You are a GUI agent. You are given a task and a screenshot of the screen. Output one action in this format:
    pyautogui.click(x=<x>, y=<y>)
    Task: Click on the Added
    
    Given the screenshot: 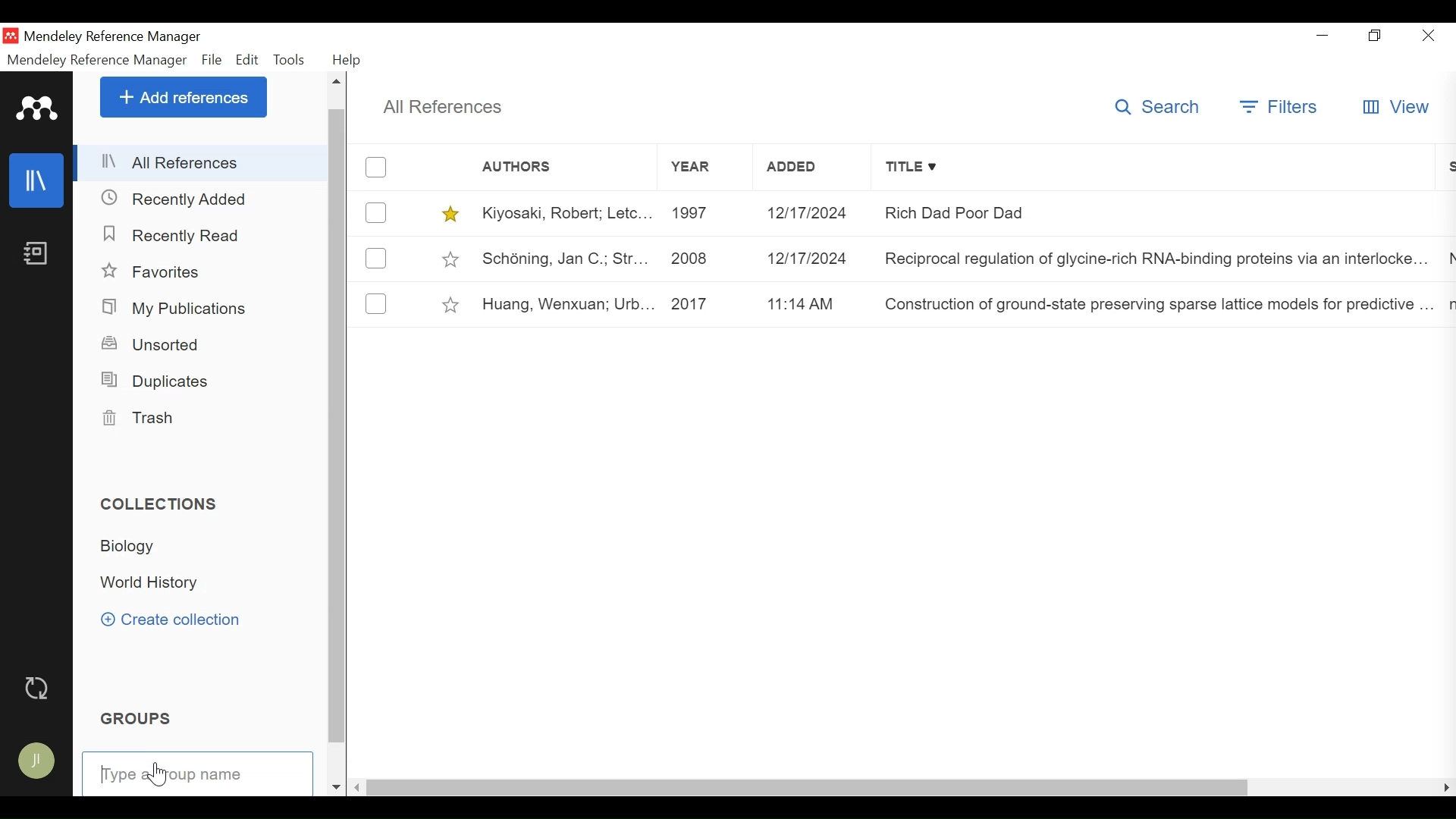 What is the action you would take?
    pyautogui.click(x=812, y=169)
    